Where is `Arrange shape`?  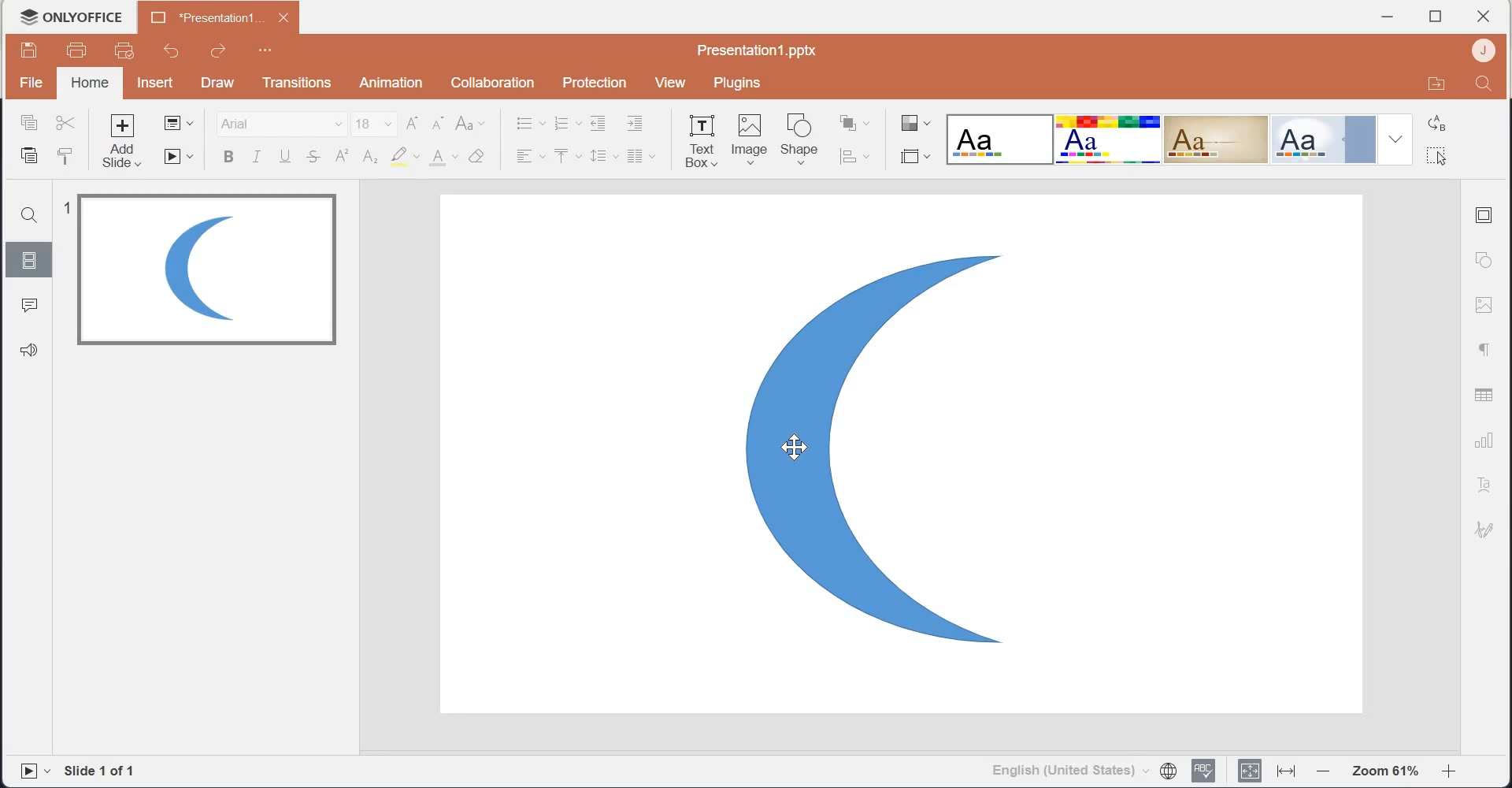 Arrange shape is located at coordinates (858, 124).